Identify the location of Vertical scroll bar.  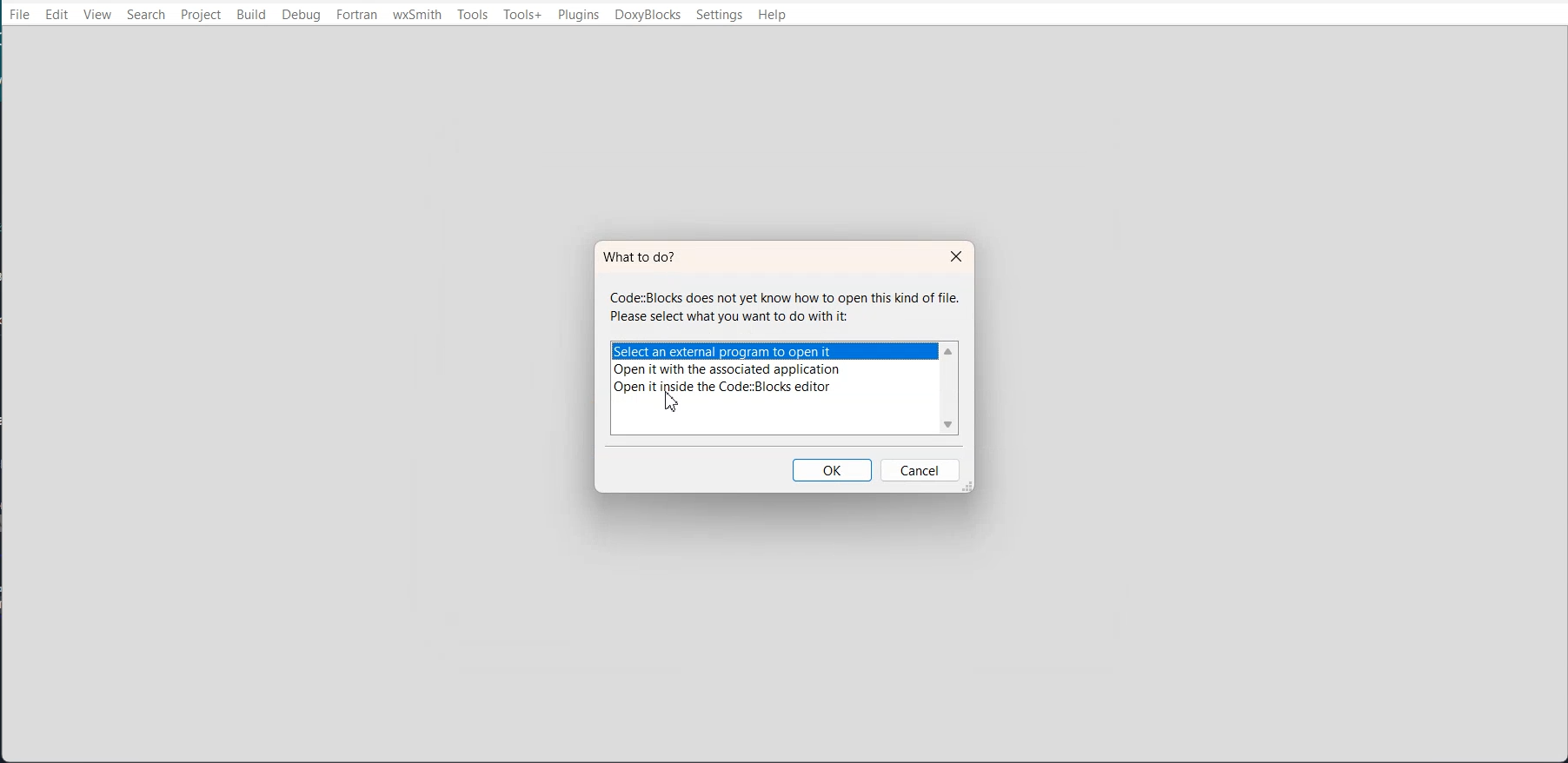
(948, 388).